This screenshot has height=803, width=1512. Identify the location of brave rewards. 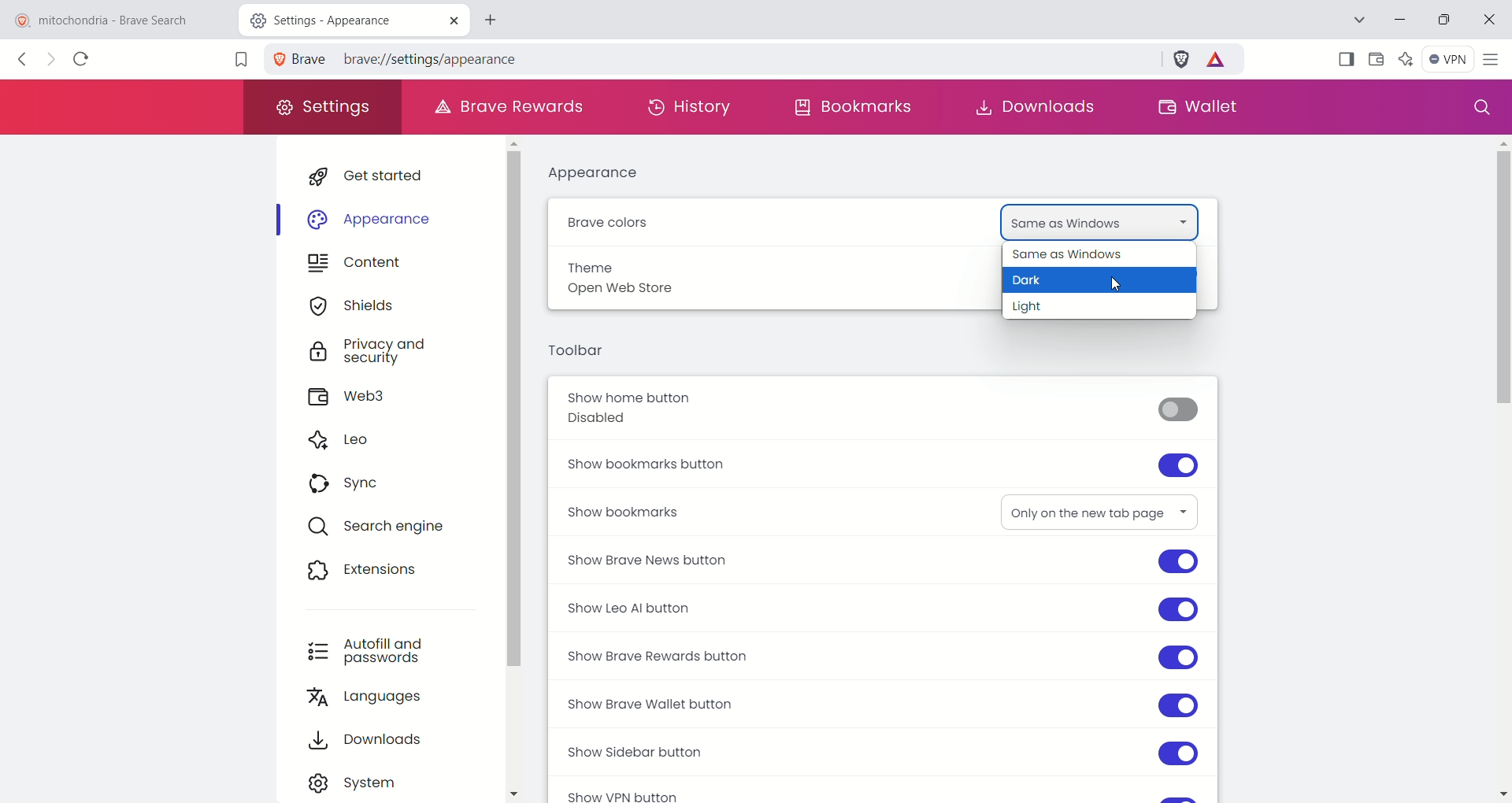
(511, 106).